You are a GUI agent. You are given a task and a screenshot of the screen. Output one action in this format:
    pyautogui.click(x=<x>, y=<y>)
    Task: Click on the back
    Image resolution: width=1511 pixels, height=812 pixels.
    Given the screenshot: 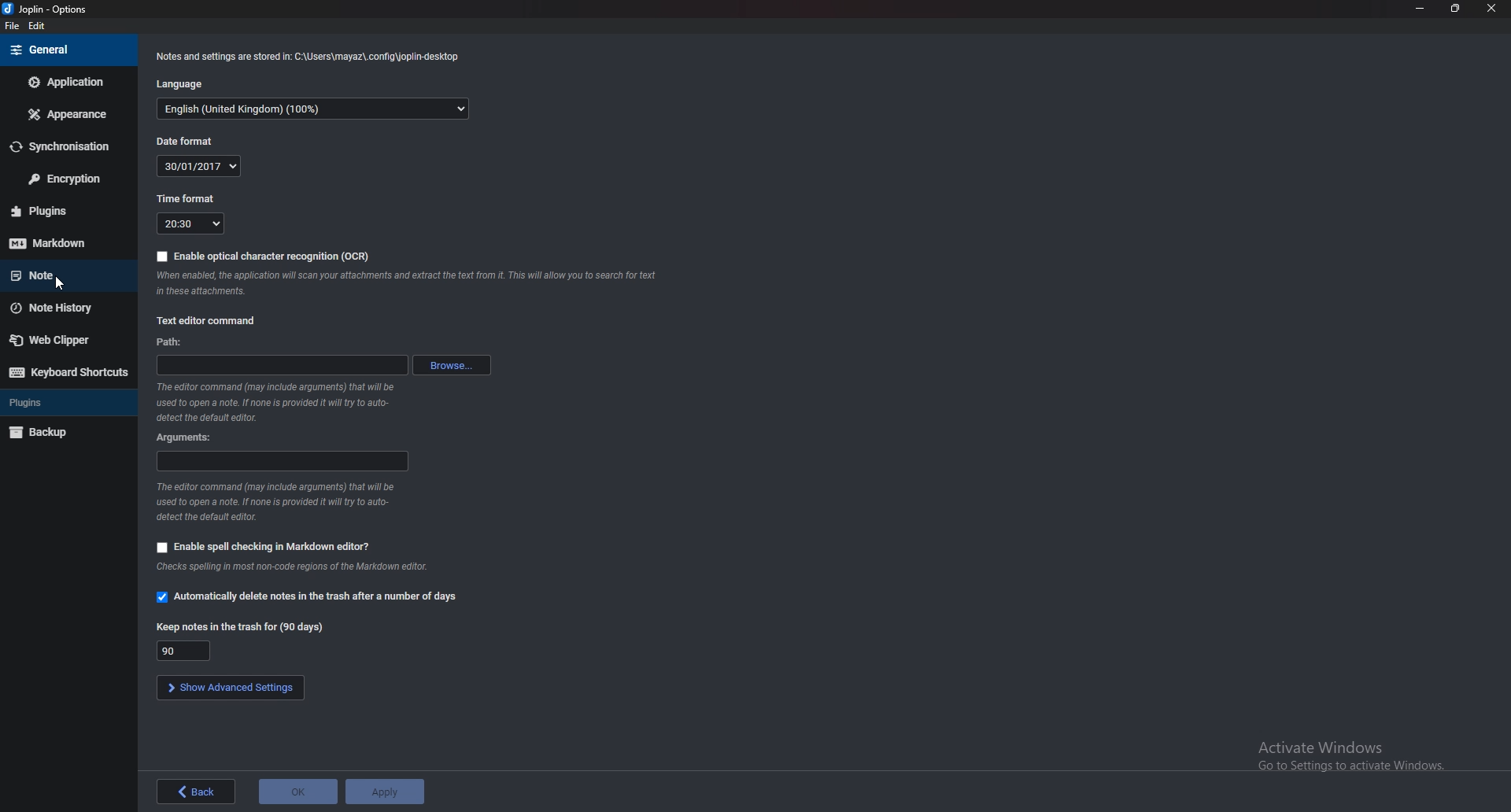 What is the action you would take?
    pyautogui.click(x=194, y=792)
    